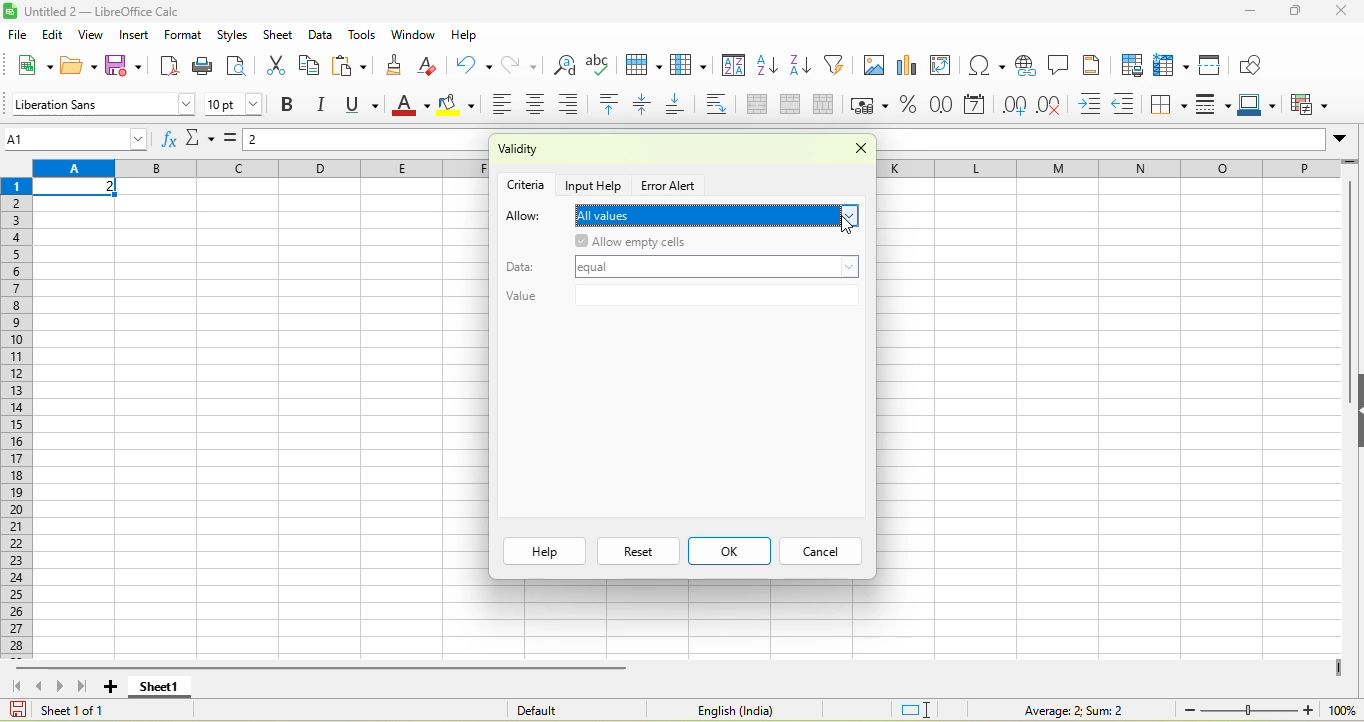 This screenshot has width=1364, height=722. Describe the element at coordinates (1249, 709) in the screenshot. I see `zoom` at that location.